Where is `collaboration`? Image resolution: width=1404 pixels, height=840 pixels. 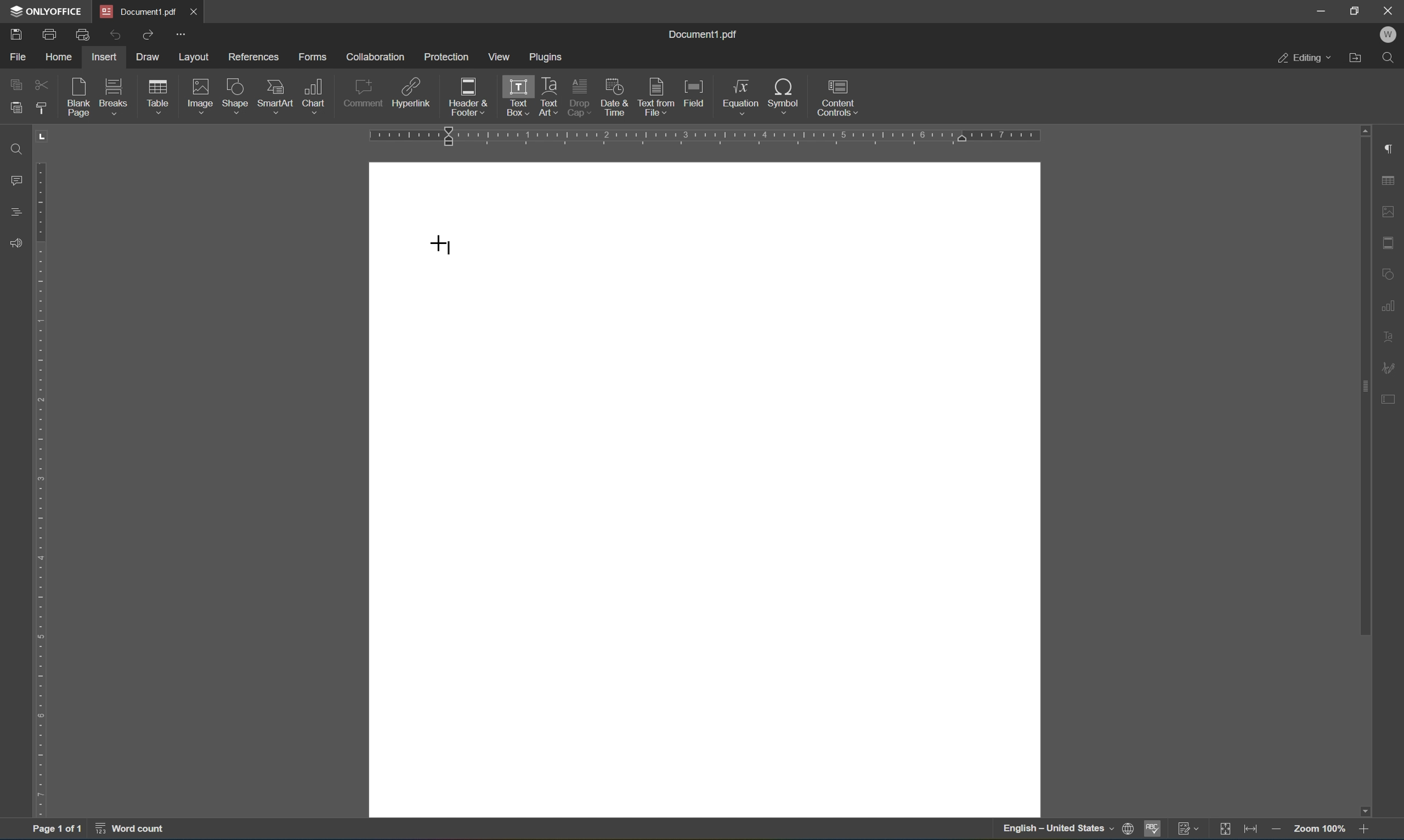 collaboration is located at coordinates (377, 57).